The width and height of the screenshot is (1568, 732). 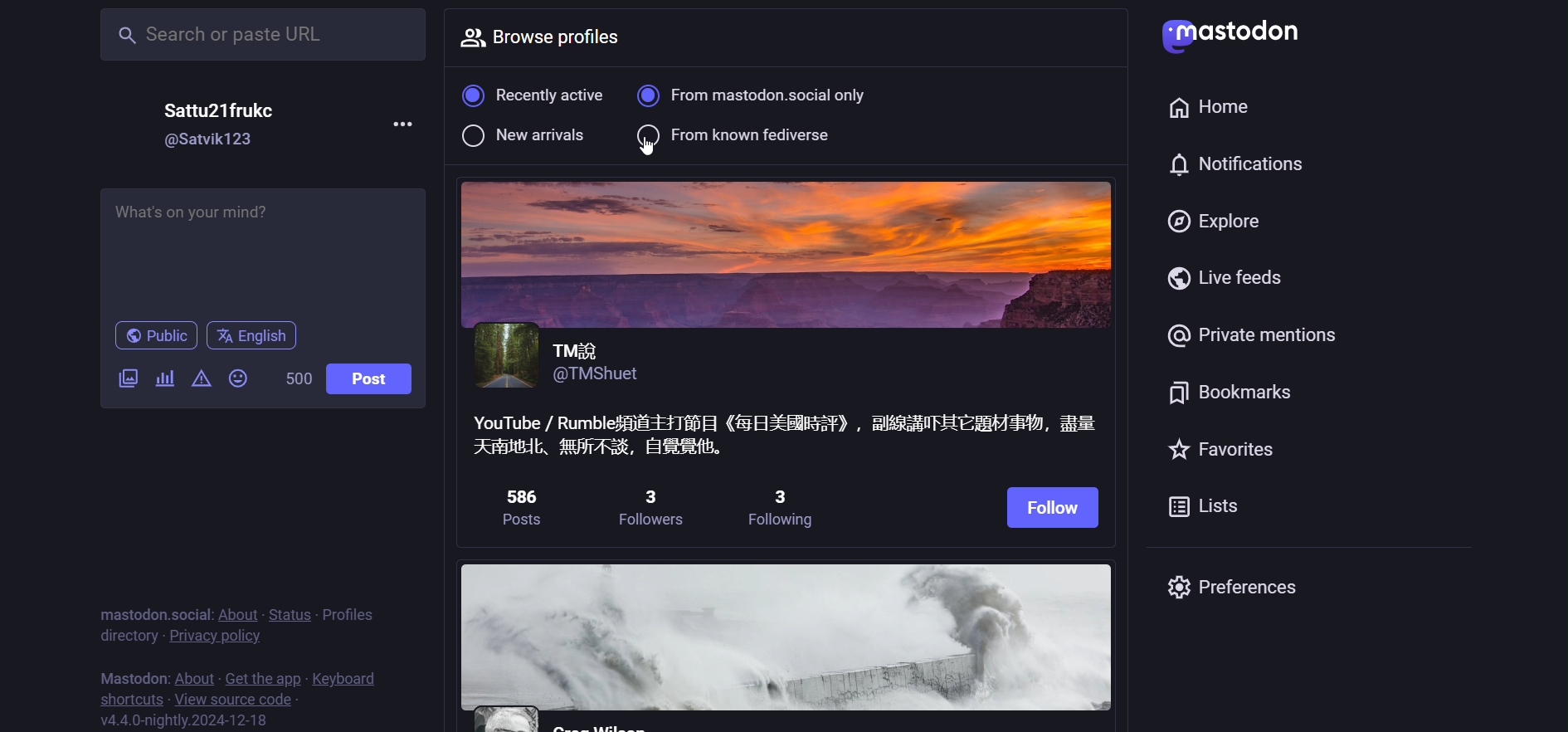 What do you see at coordinates (409, 124) in the screenshot?
I see `more` at bounding box center [409, 124].